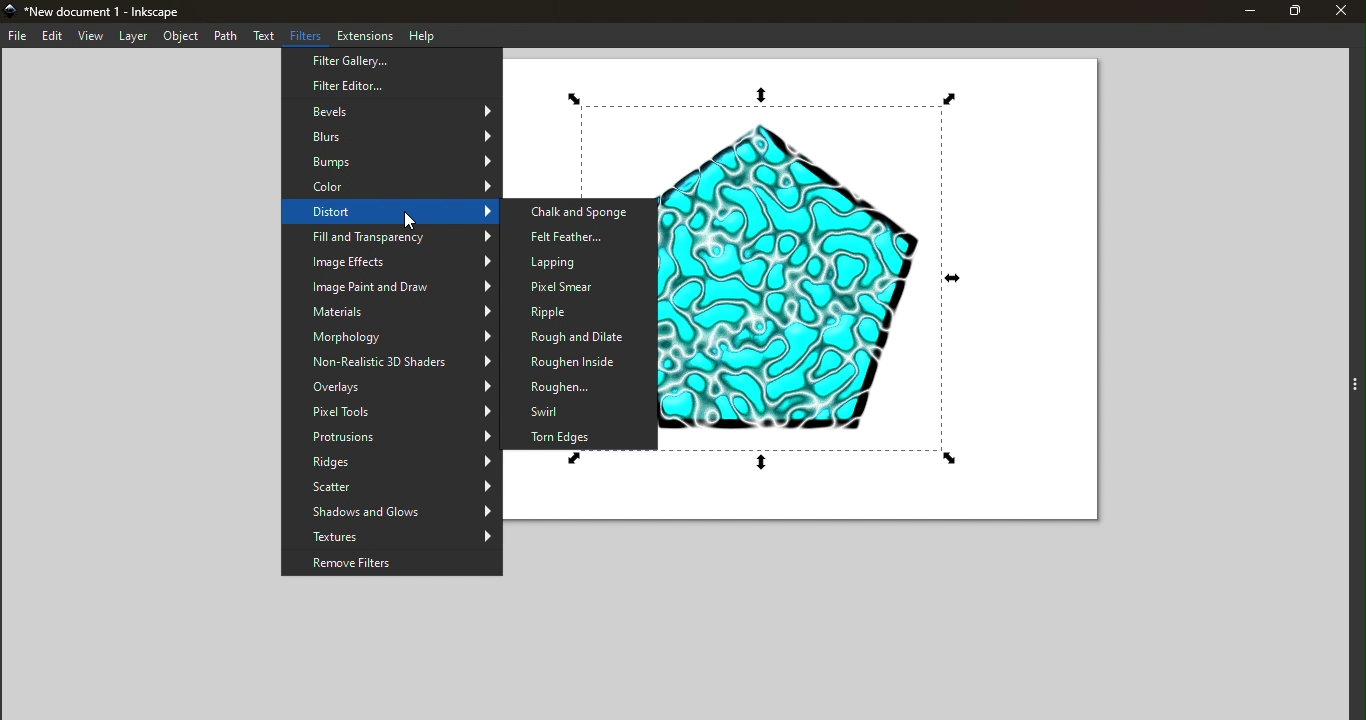 The width and height of the screenshot is (1366, 720). What do you see at coordinates (389, 112) in the screenshot?
I see `Bevels` at bounding box center [389, 112].